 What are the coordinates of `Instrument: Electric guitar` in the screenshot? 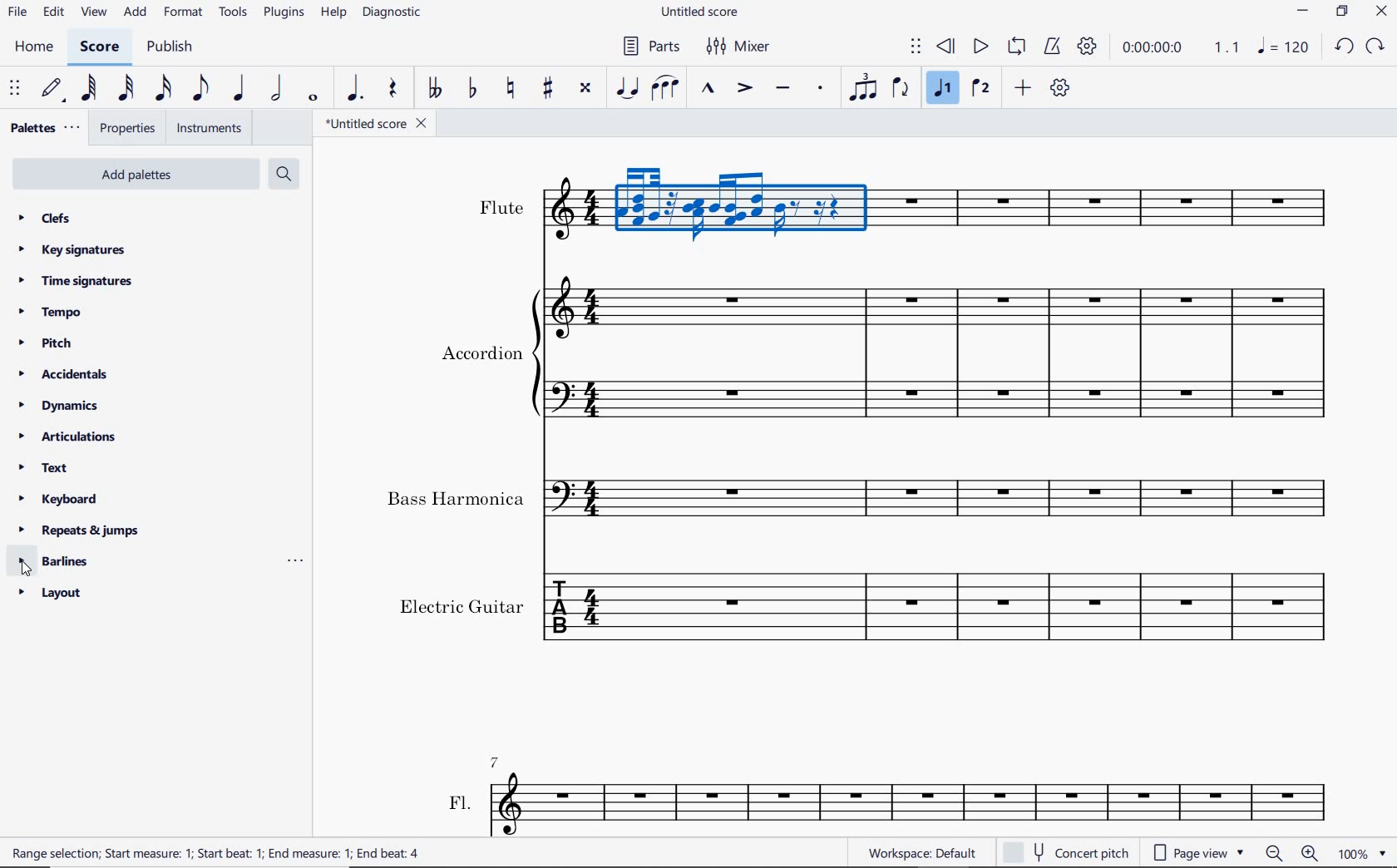 It's located at (945, 611).